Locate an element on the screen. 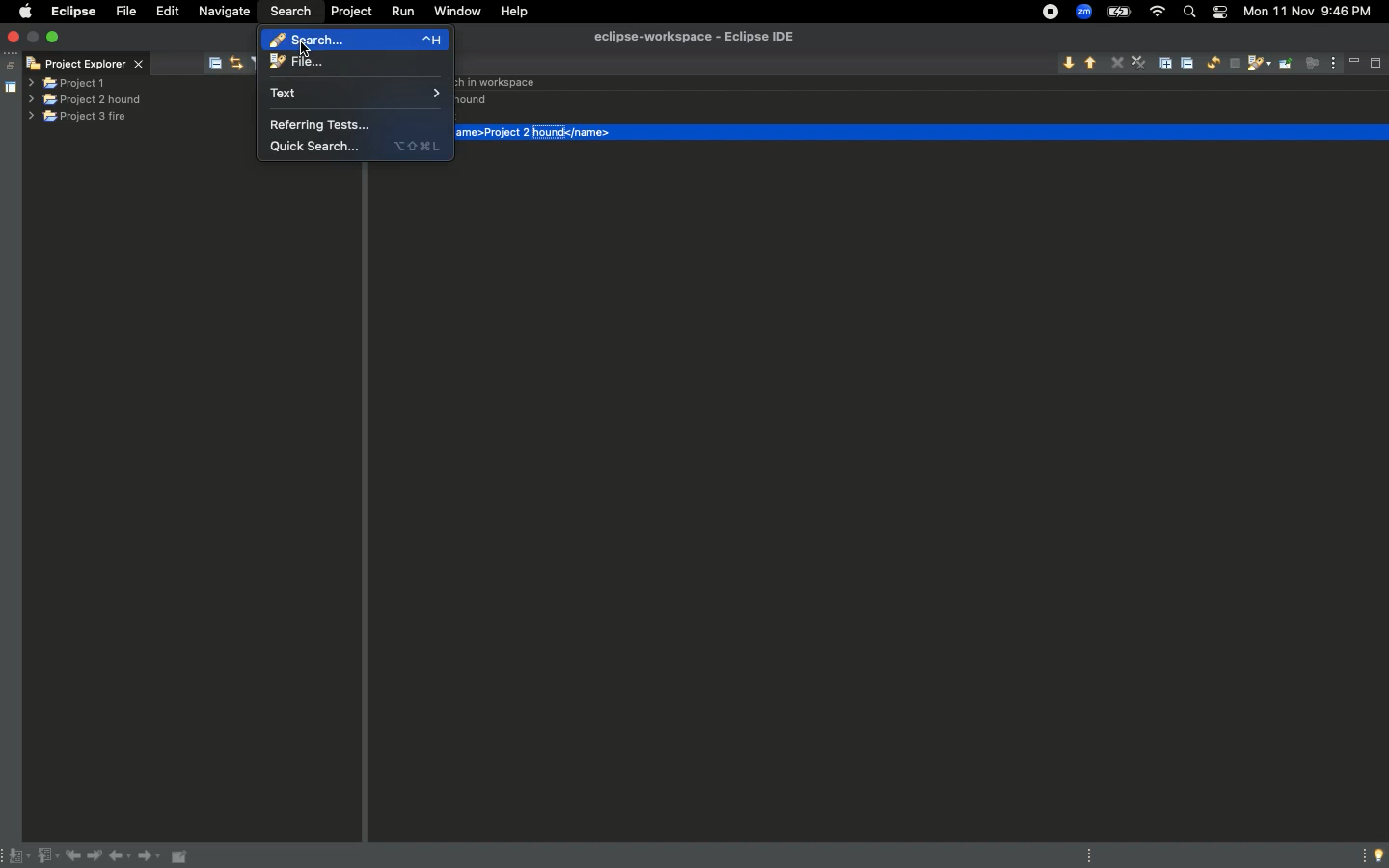  cursor is located at coordinates (306, 51).